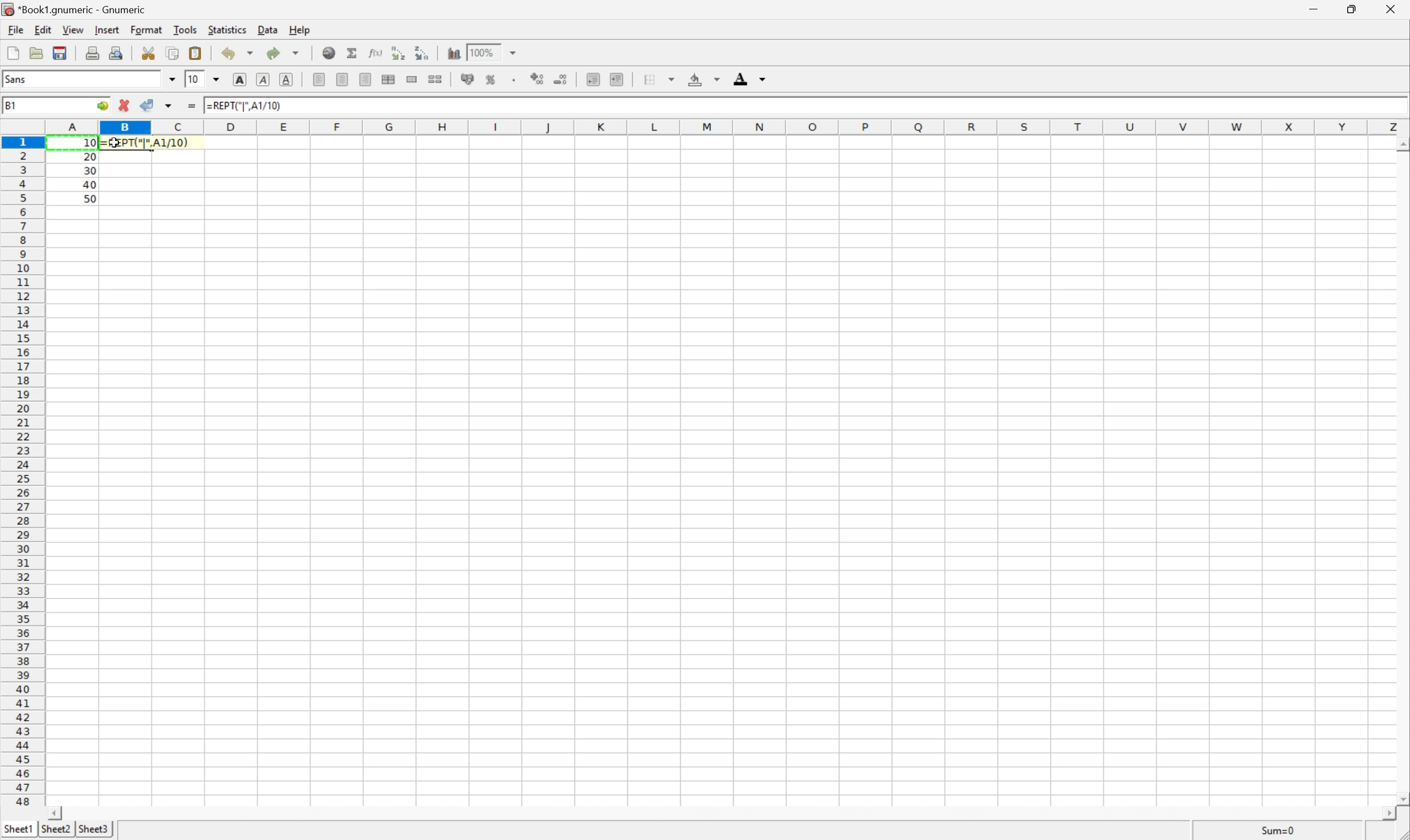 The width and height of the screenshot is (1410, 840). What do you see at coordinates (101, 106) in the screenshot?
I see `Go To` at bounding box center [101, 106].